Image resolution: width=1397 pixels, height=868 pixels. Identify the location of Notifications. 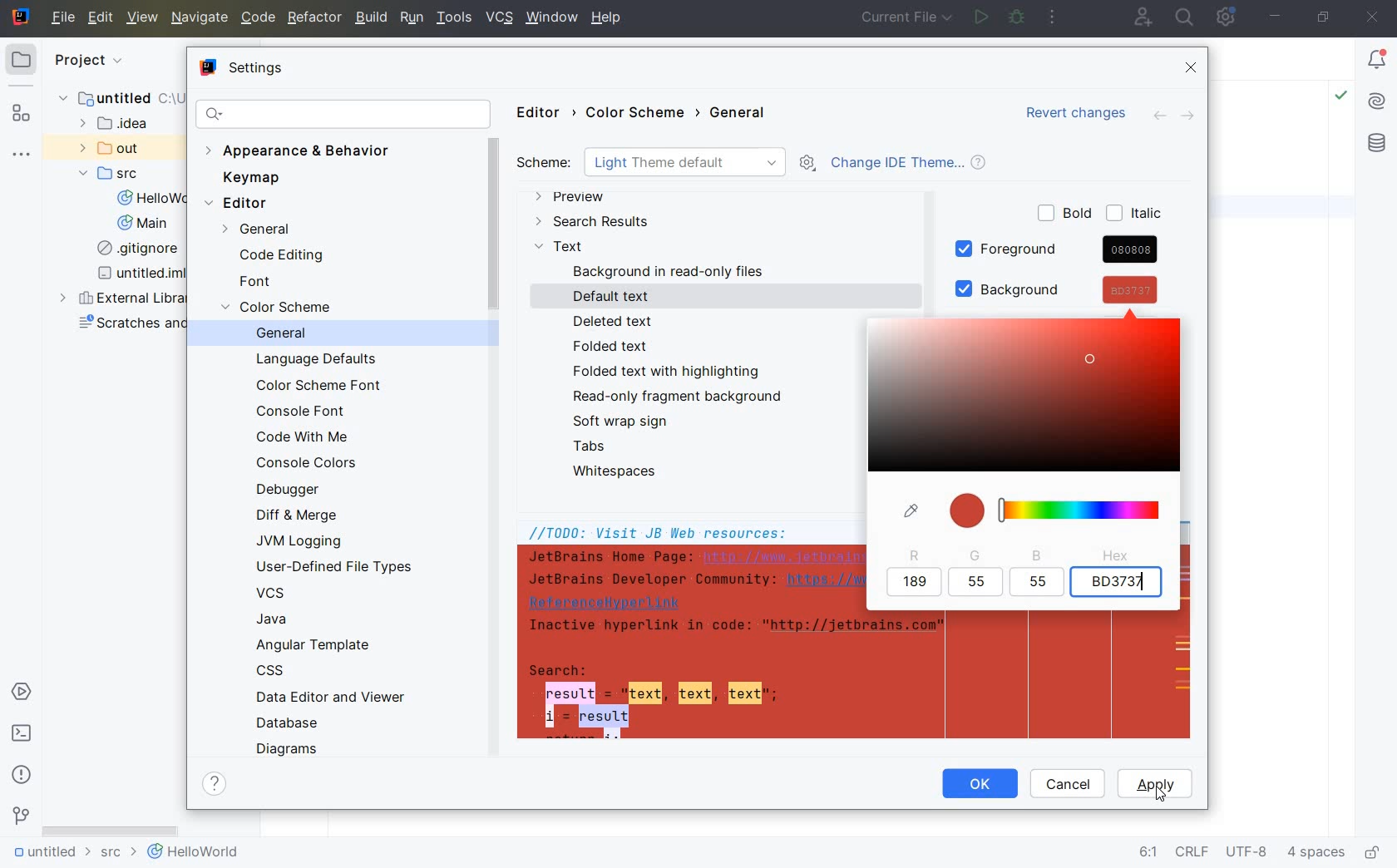
(1378, 61).